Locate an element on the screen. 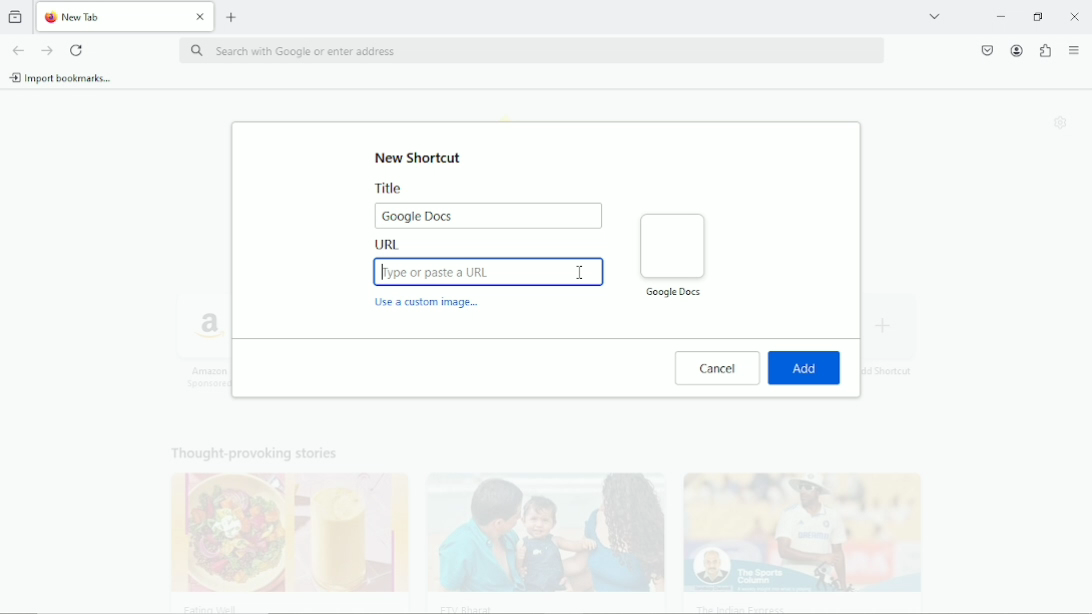 The height and width of the screenshot is (614, 1092). import bookmarks is located at coordinates (61, 77).